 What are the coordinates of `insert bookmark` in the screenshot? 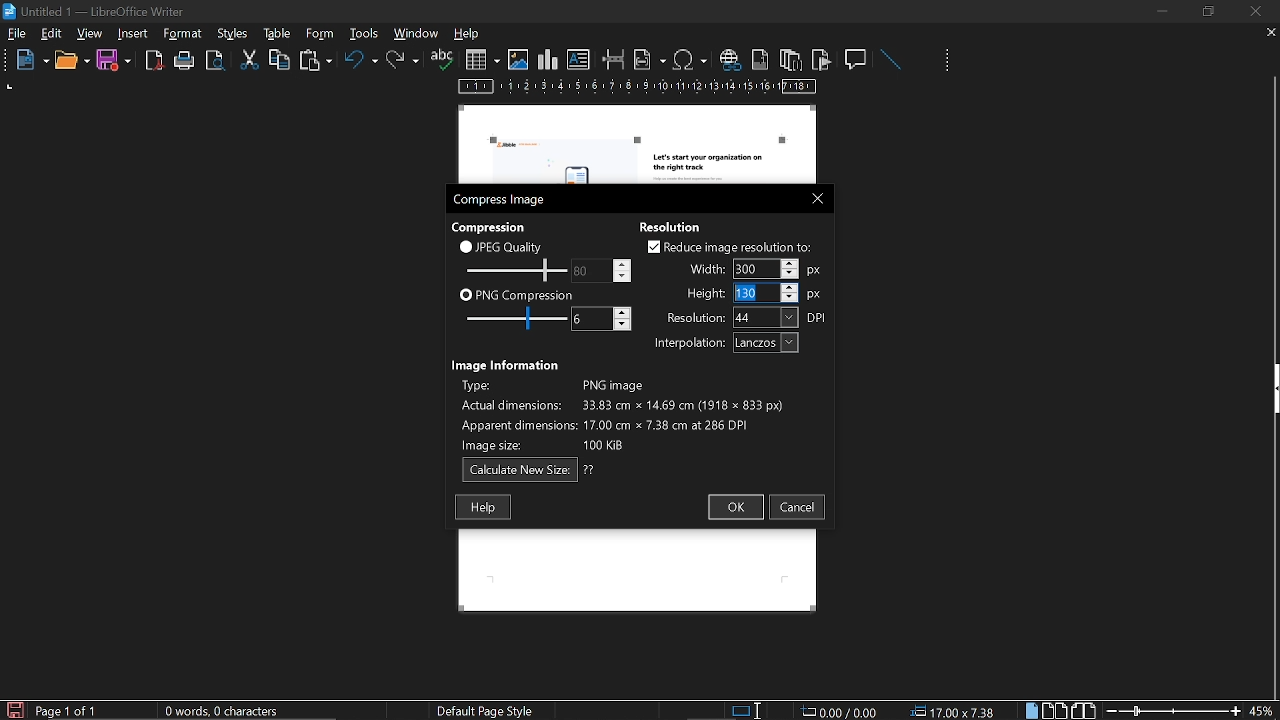 It's located at (822, 60).